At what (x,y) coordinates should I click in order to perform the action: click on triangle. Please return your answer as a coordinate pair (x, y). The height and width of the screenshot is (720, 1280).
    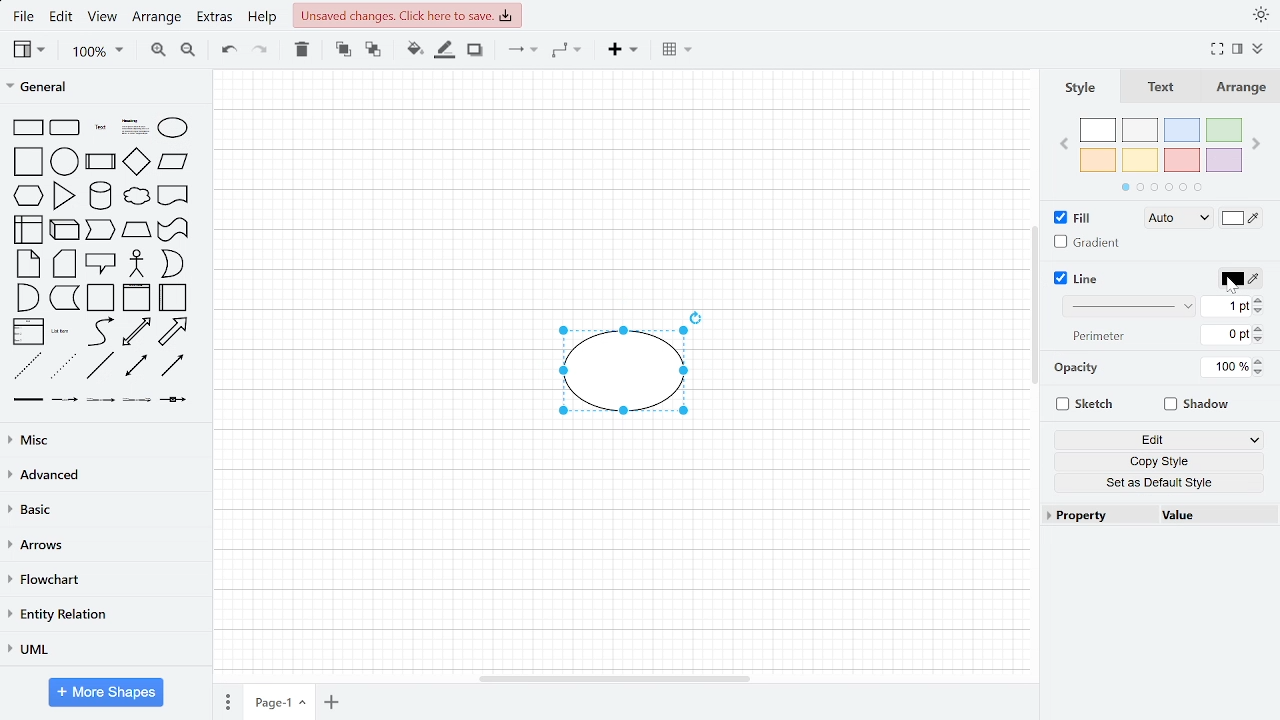
    Looking at the image, I should click on (64, 196).